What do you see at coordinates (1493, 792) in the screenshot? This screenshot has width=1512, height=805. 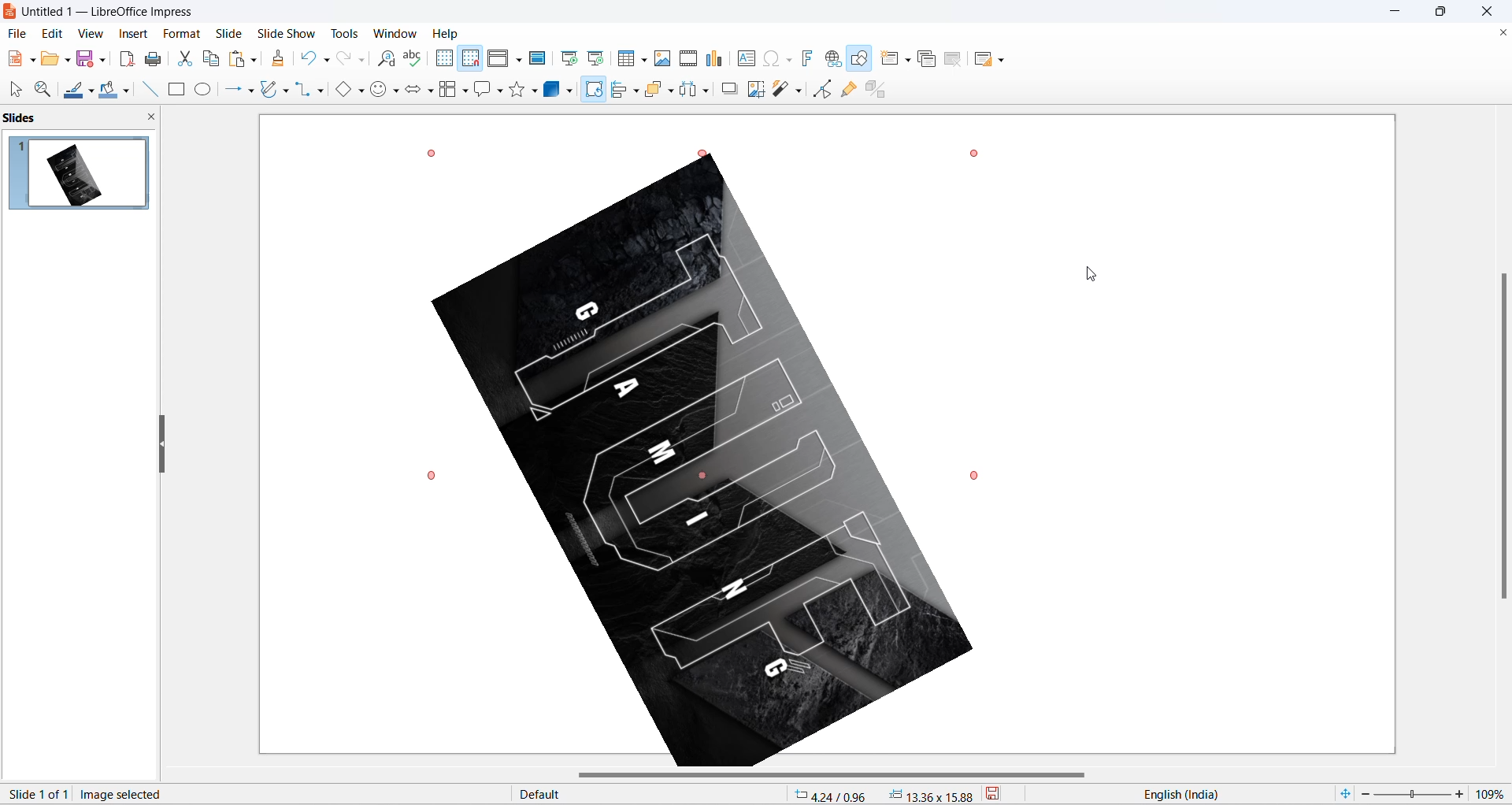 I see `zoom percentage` at bounding box center [1493, 792].